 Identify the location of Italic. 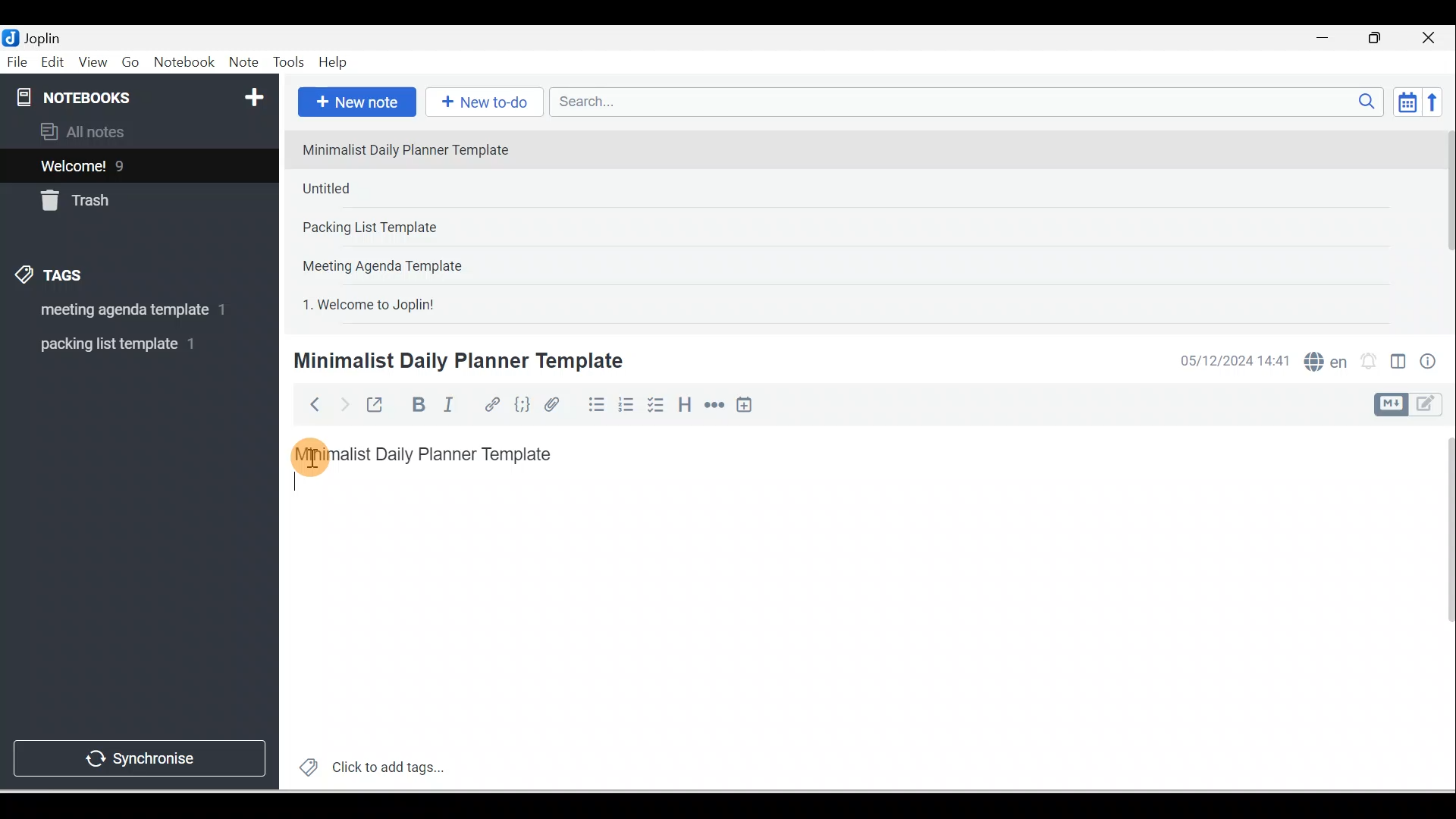
(451, 407).